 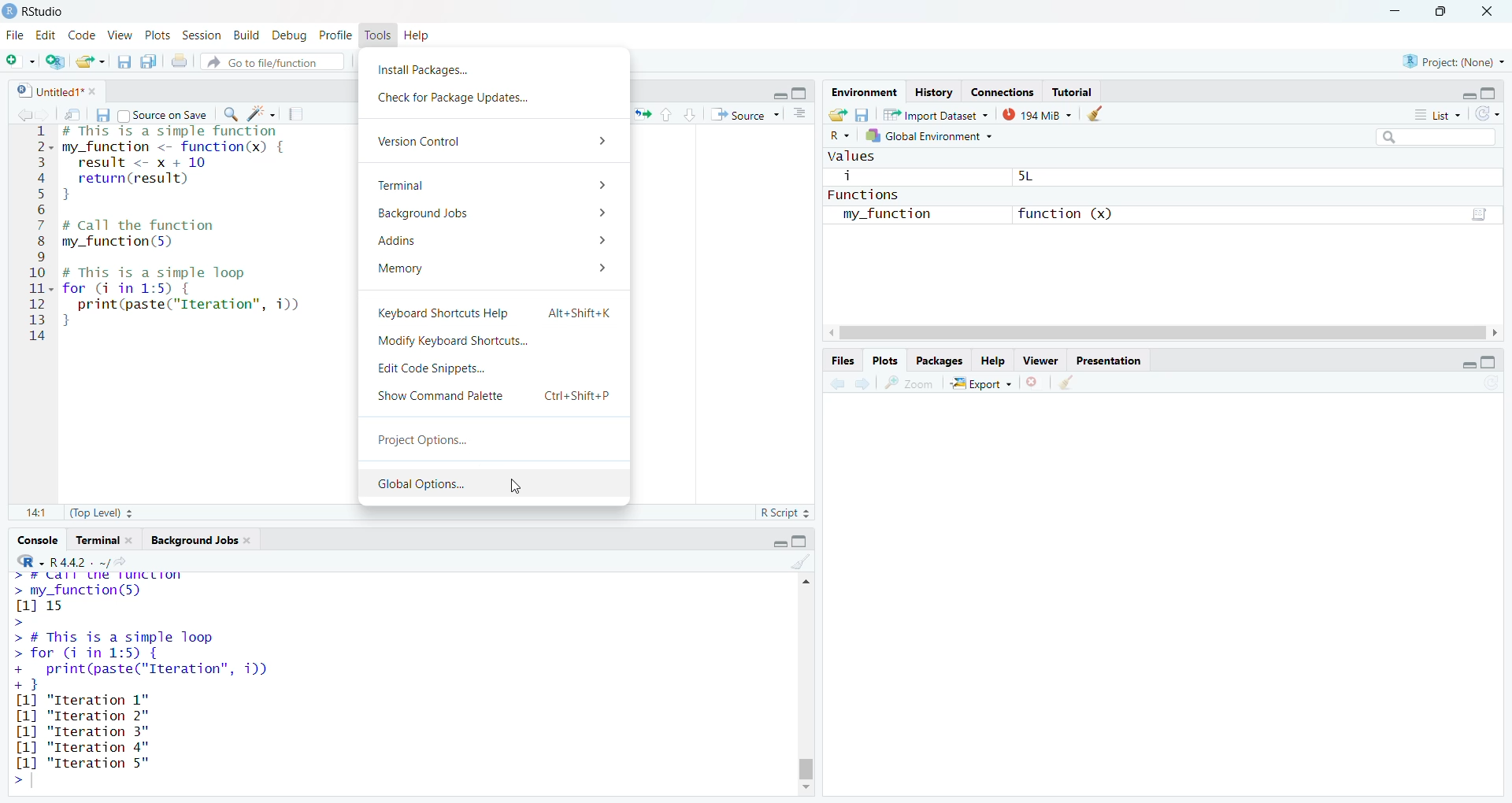 I want to click on File, so click(x=15, y=35).